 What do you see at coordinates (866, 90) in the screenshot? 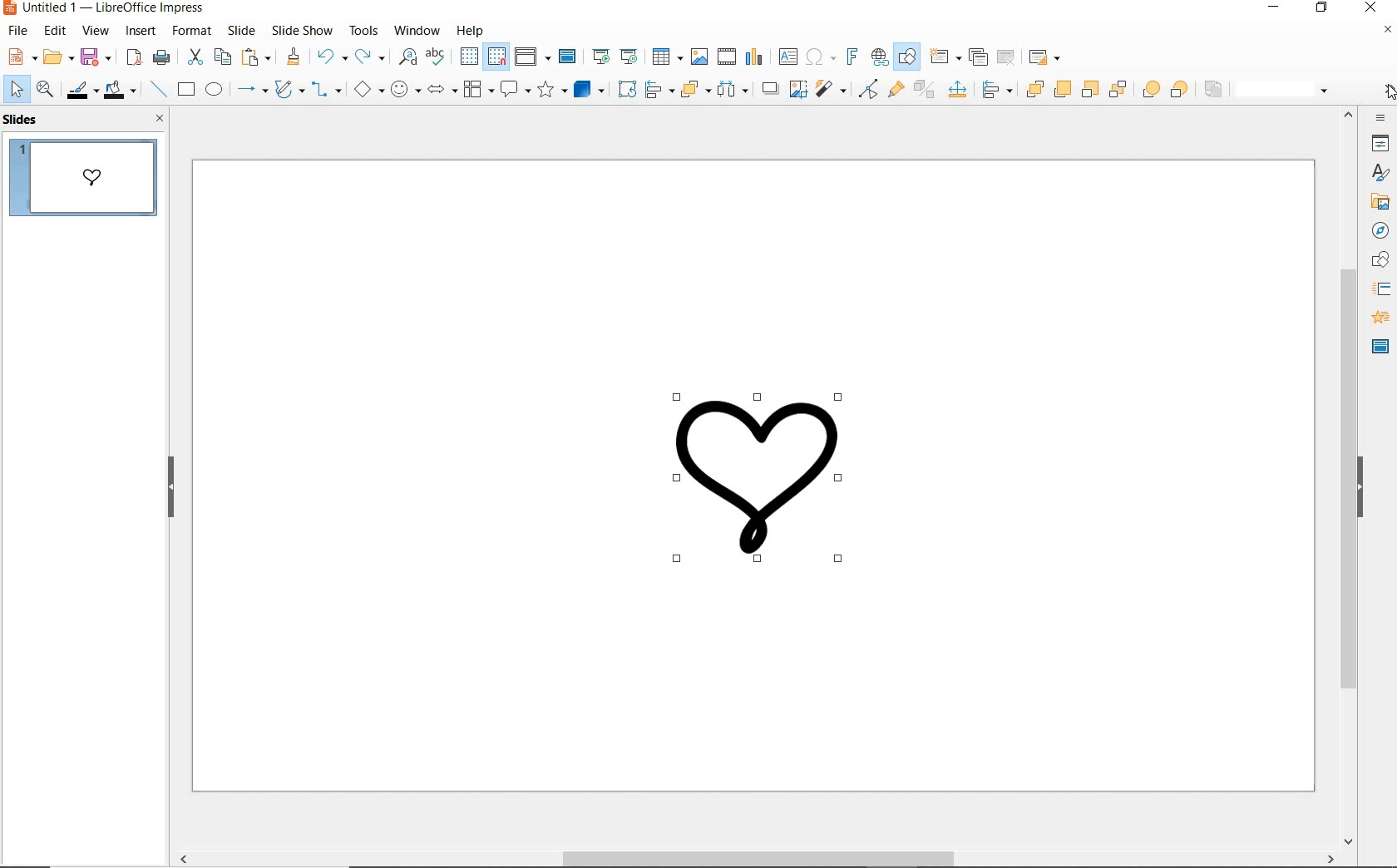
I see `toggle point edit mode` at bounding box center [866, 90].